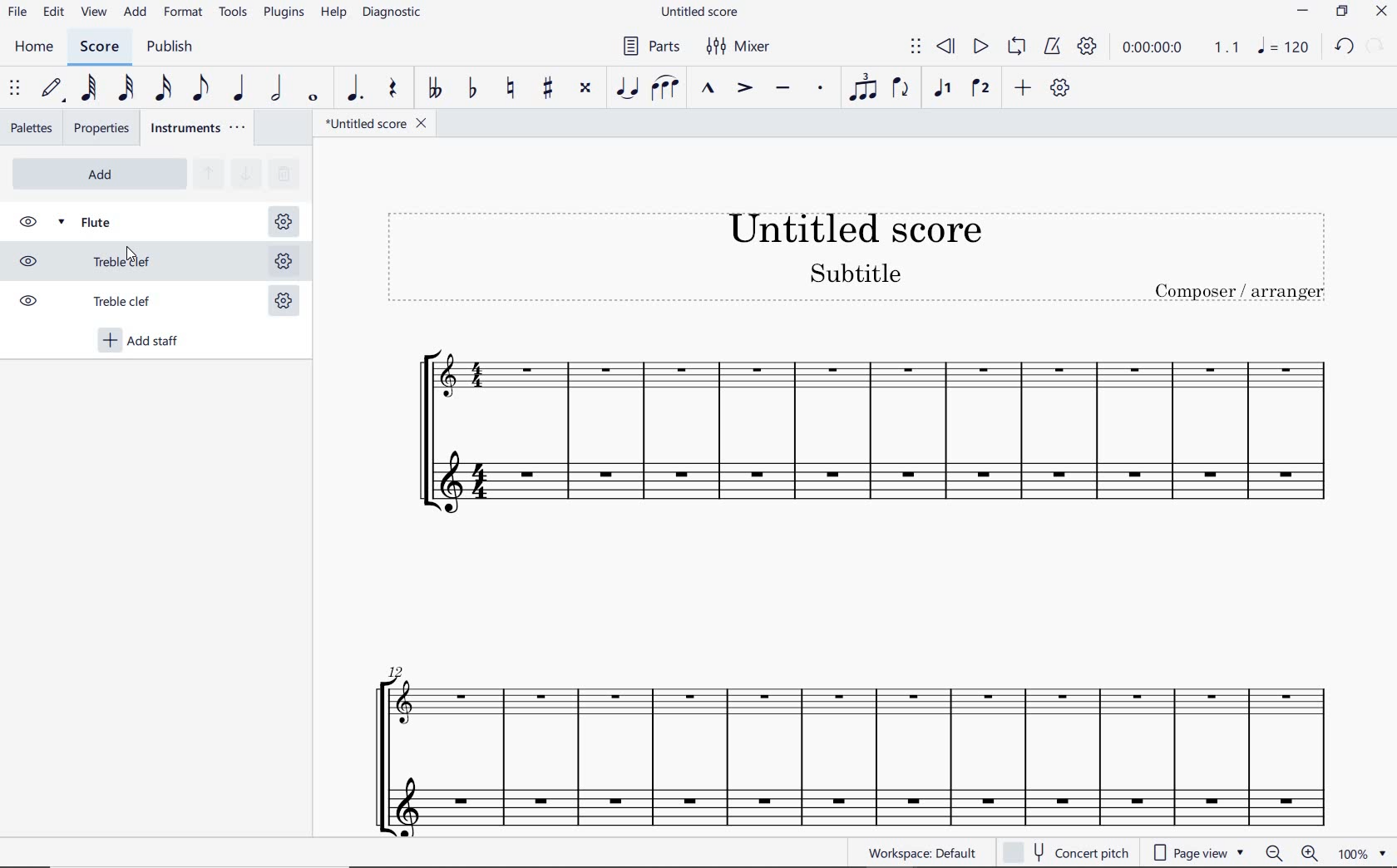 This screenshot has height=868, width=1397. I want to click on add staff, so click(141, 342).